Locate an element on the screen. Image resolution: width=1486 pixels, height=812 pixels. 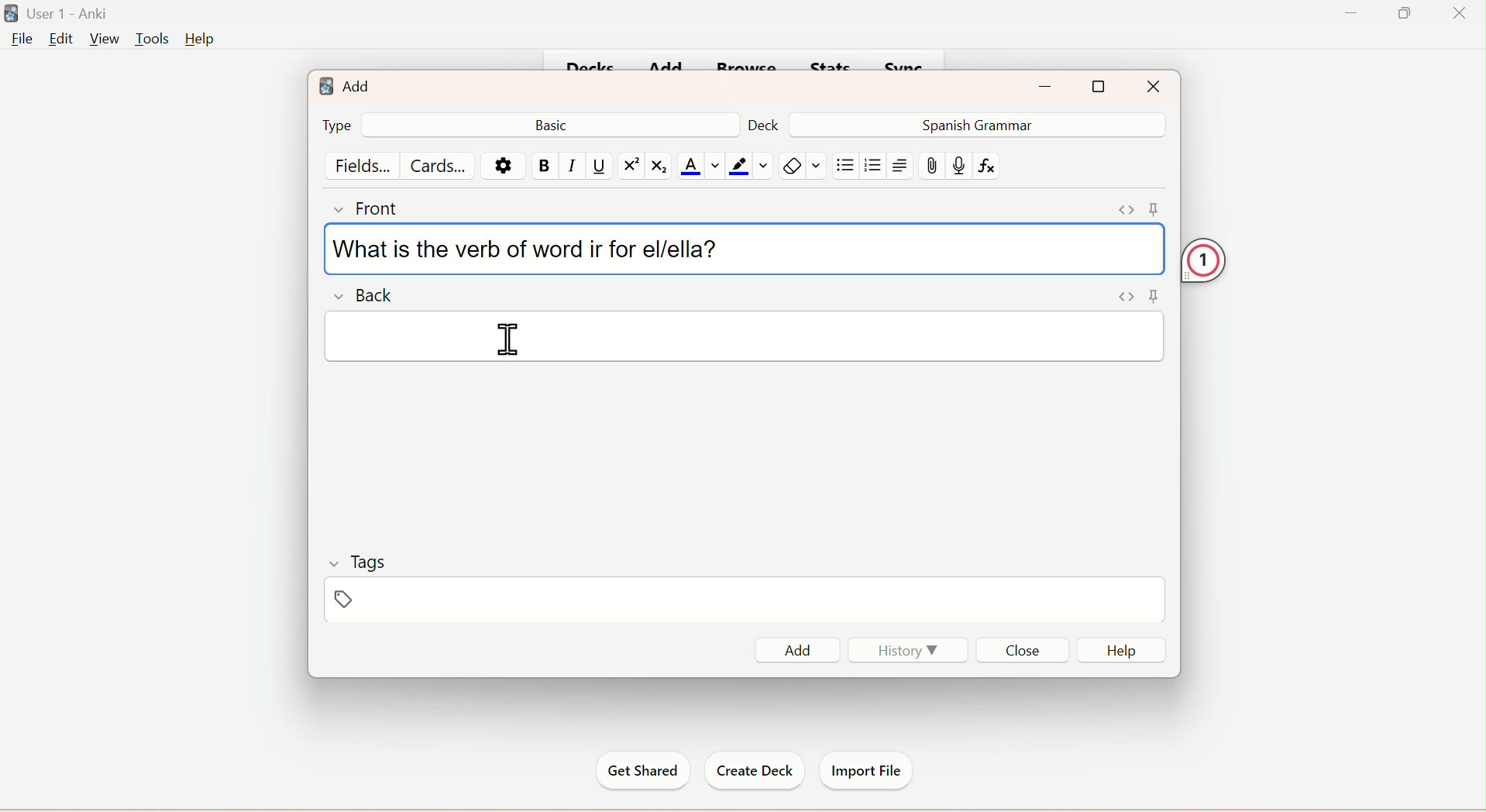
Type is located at coordinates (335, 125).